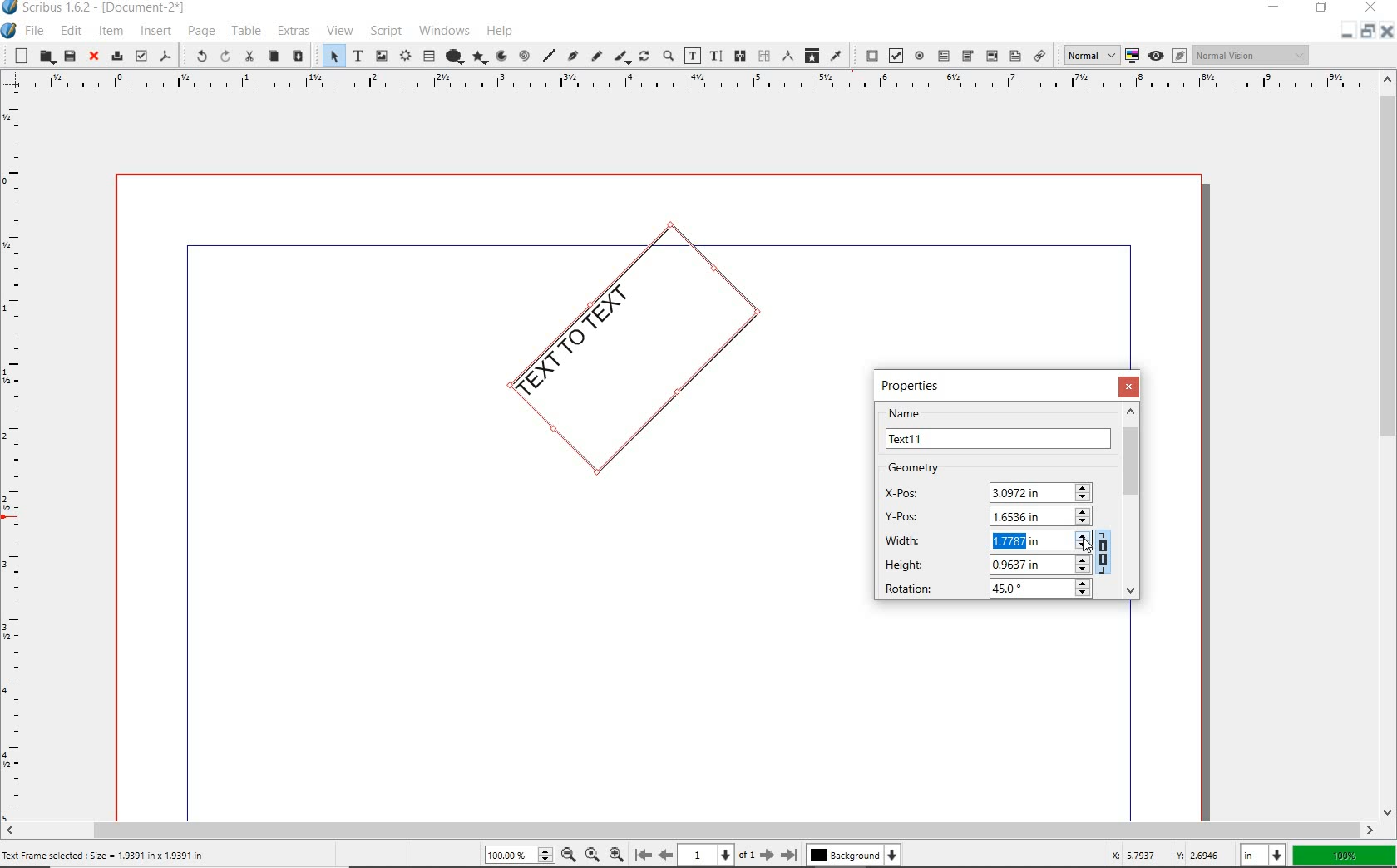 This screenshot has height=868, width=1397. What do you see at coordinates (740, 56) in the screenshot?
I see `link text frames` at bounding box center [740, 56].